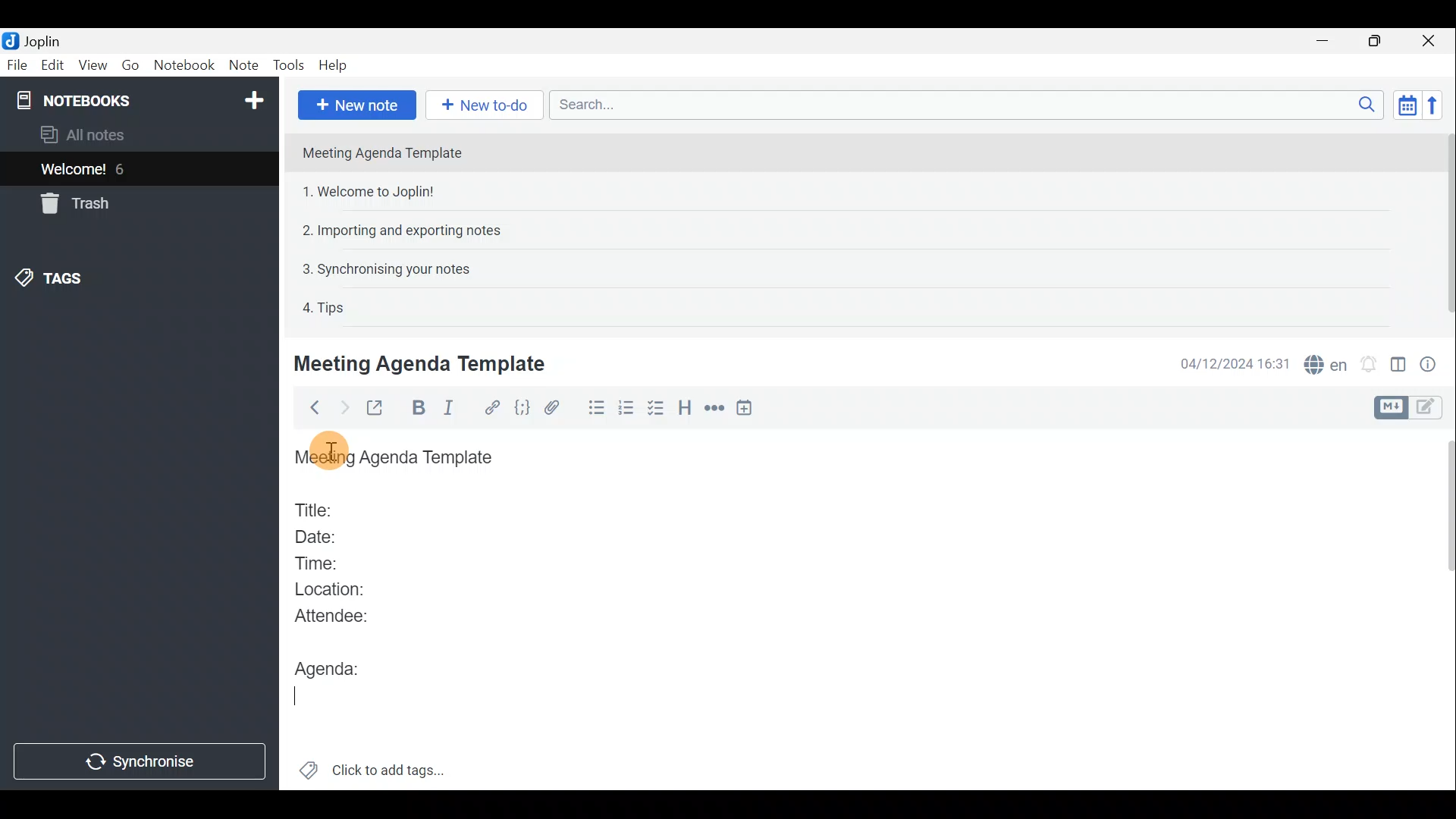  What do you see at coordinates (74, 171) in the screenshot?
I see `Welcome!` at bounding box center [74, 171].